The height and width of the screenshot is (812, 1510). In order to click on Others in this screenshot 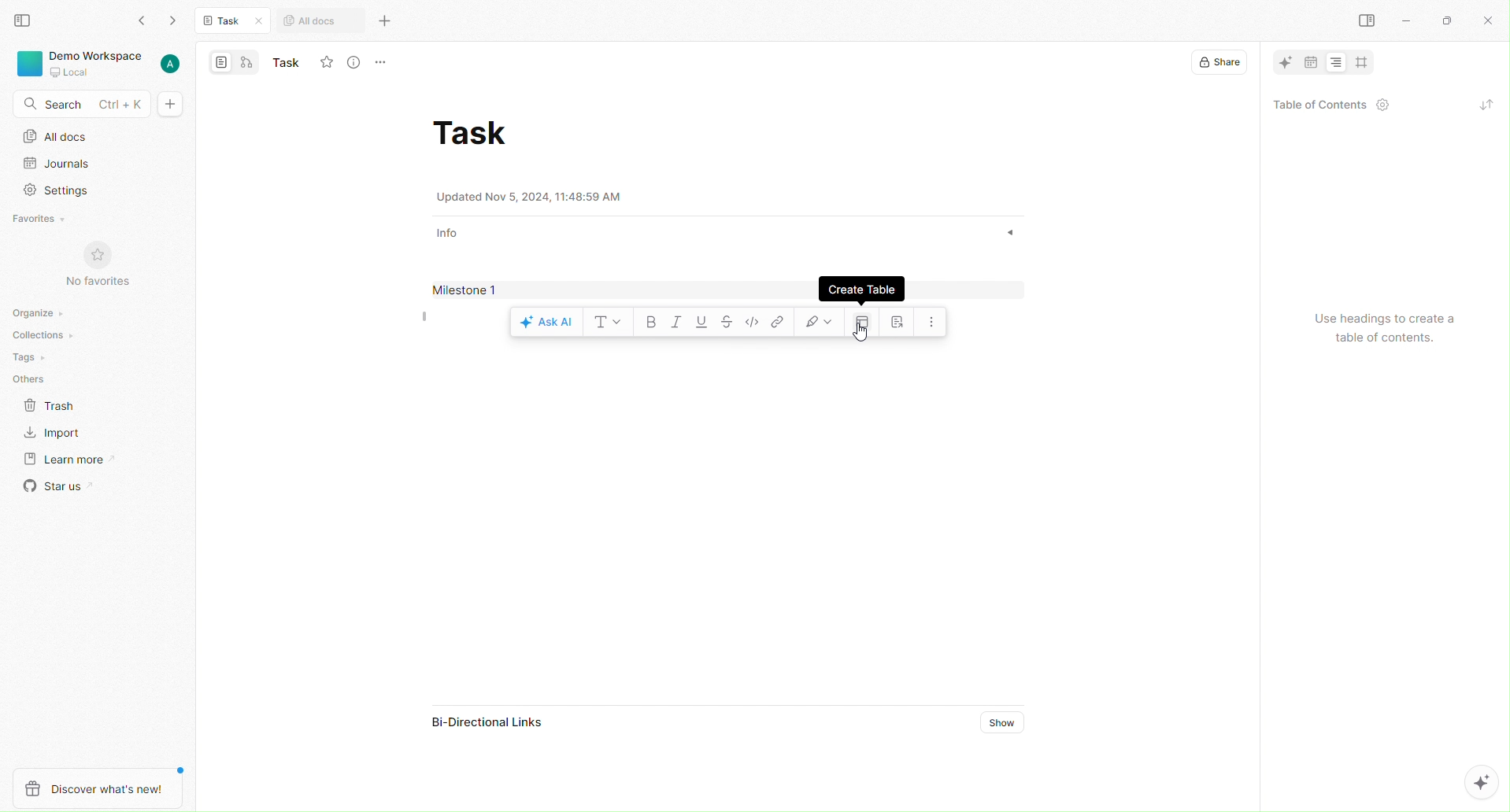, I will do `click(32, 381)`.